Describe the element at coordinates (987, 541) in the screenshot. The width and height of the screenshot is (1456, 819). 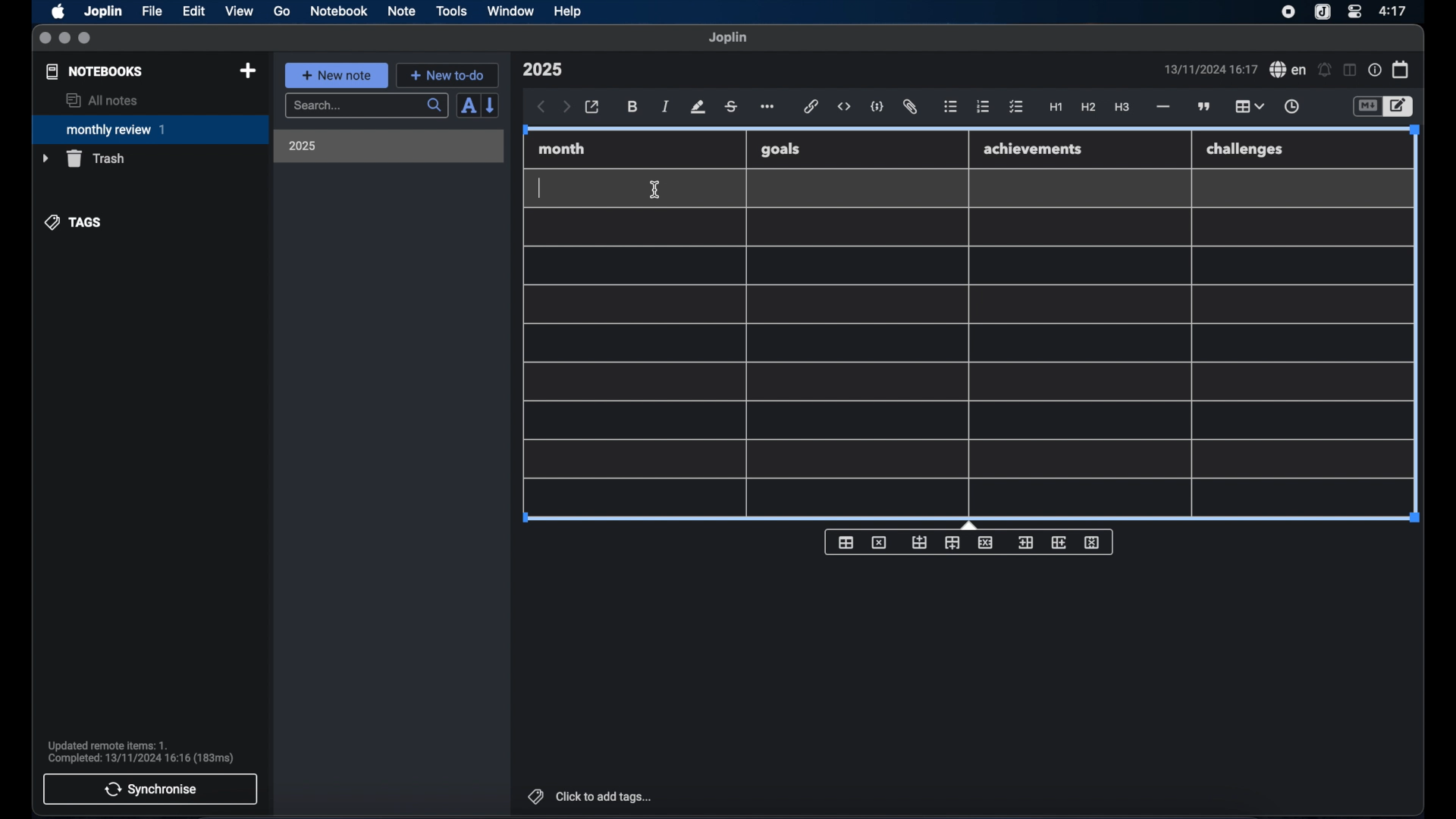
I see `delete row` at that location.